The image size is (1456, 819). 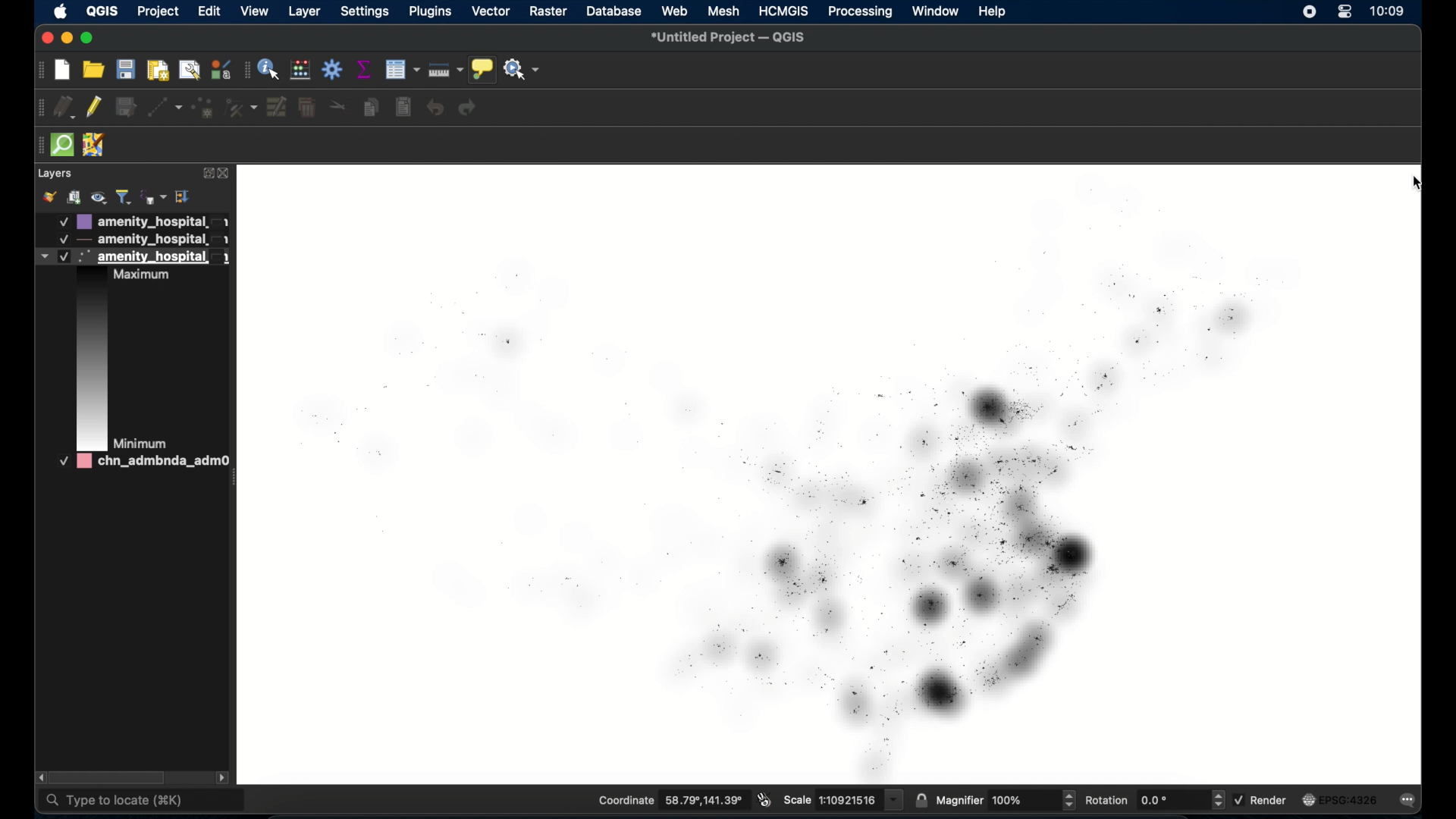 I want to click on style manager, so click(x=222, y=69).